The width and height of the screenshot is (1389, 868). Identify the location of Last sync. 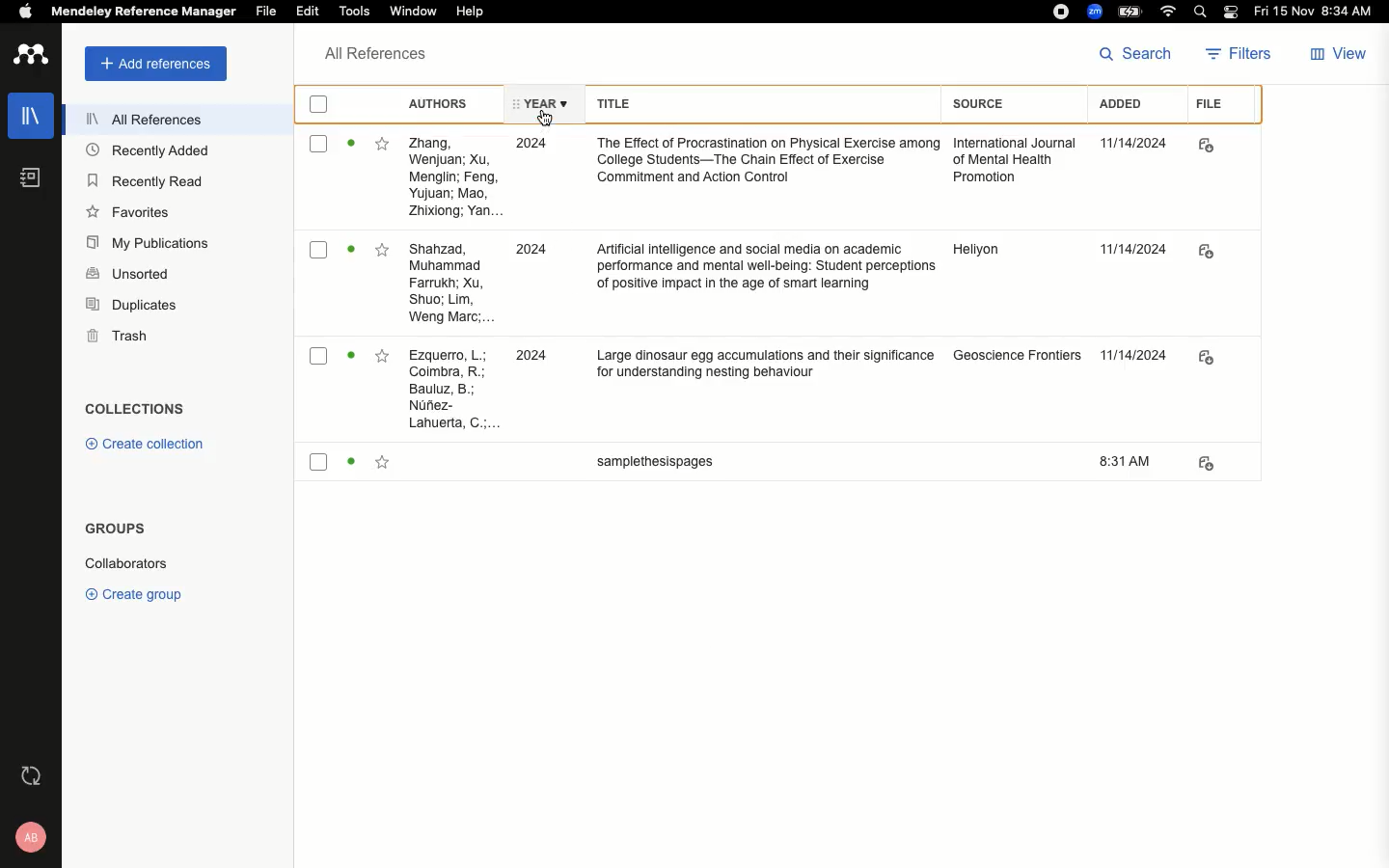
(27, 774).